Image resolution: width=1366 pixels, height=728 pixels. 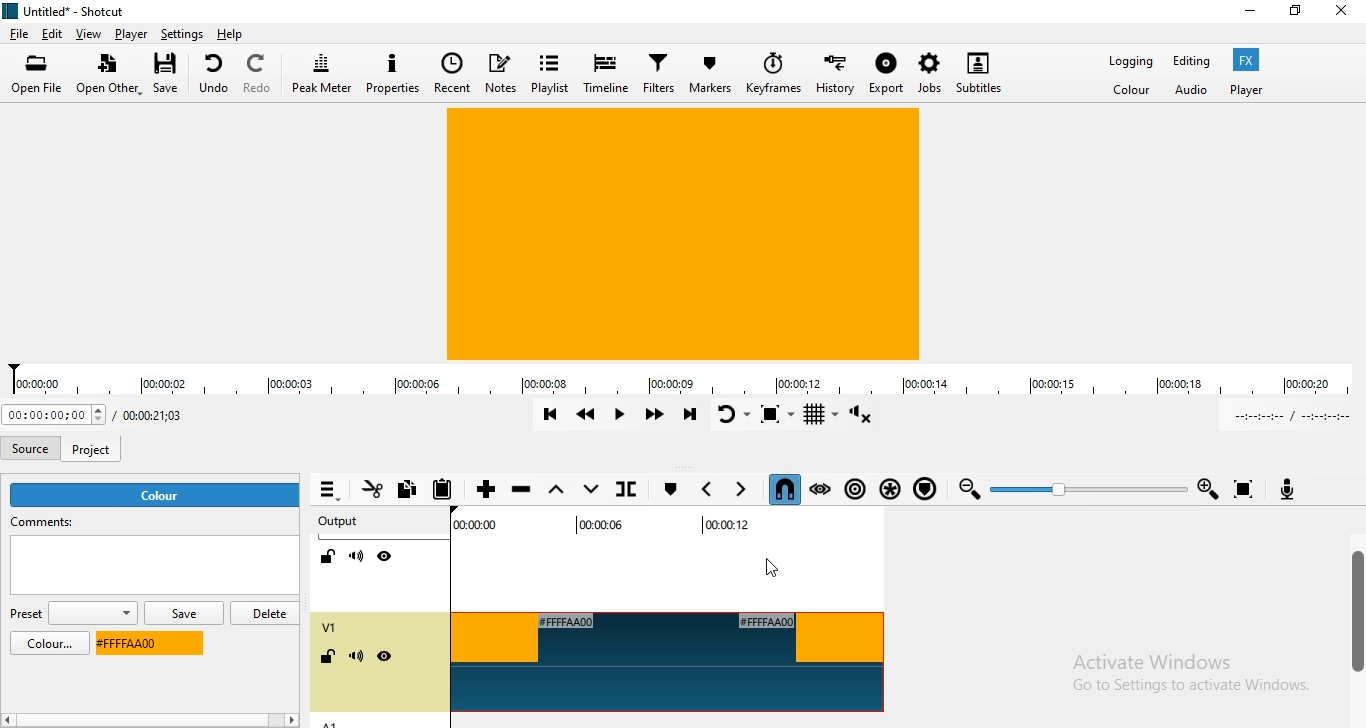 I want to click on undo, so click(x=215, y=73).